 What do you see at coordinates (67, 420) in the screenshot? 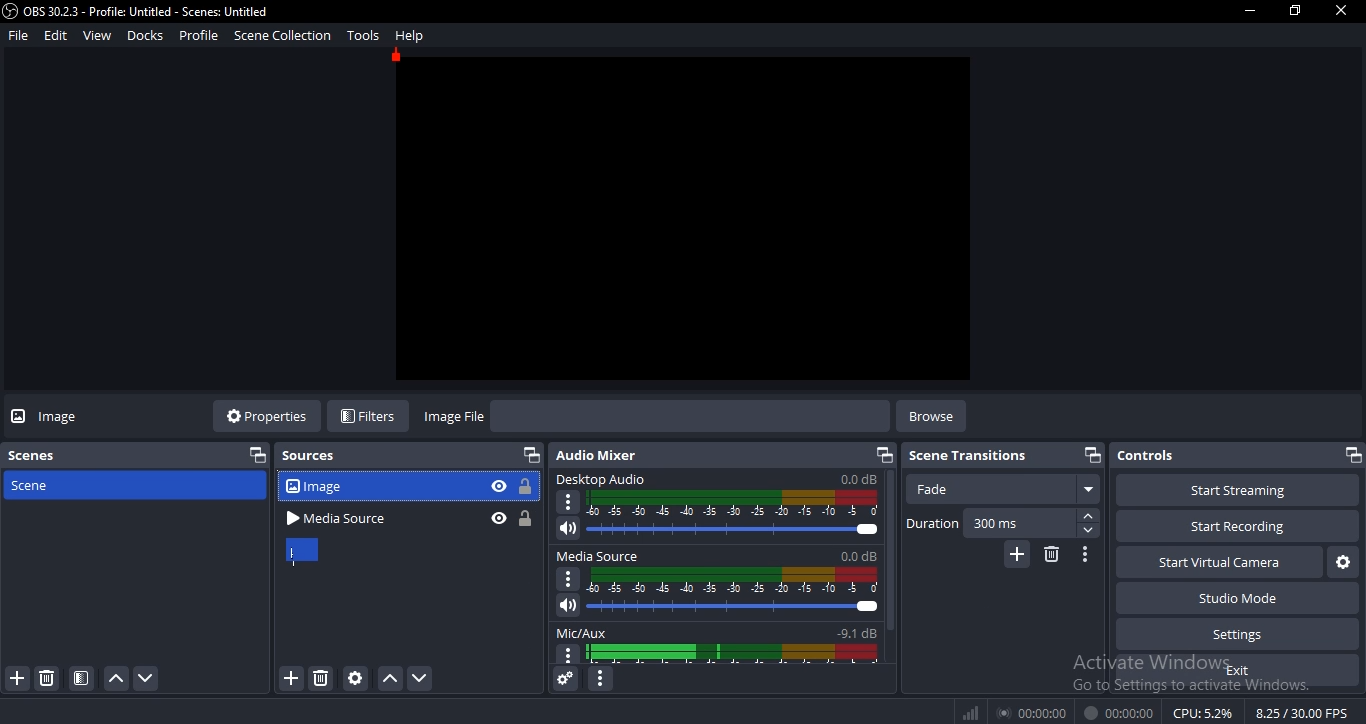
I see `image` at bounding box center [67, 420].